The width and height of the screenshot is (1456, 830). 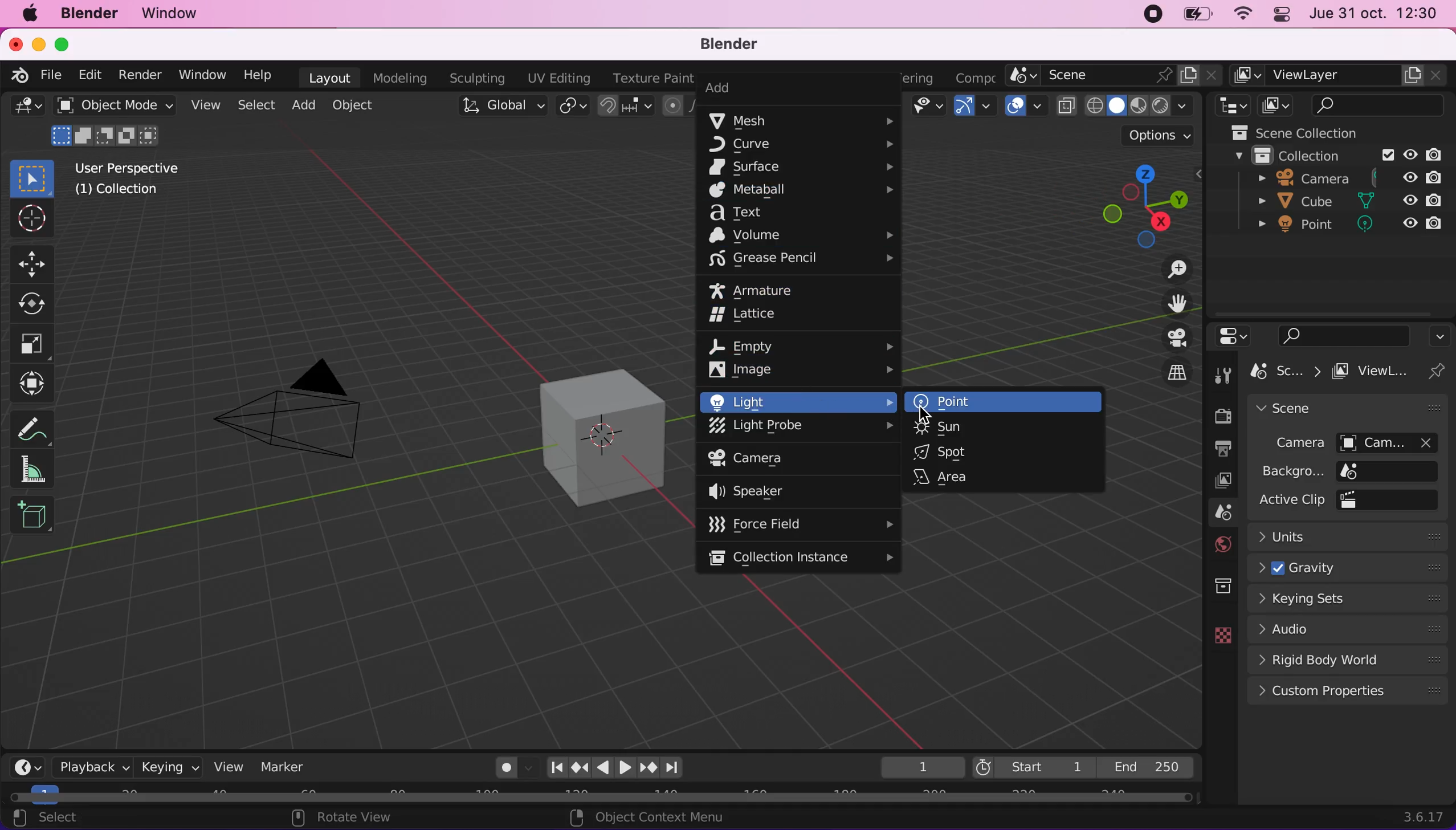 What do you see at coordinates (802, 426) in the screenshot?
I see `light probe` at bounding box center [802, 426].